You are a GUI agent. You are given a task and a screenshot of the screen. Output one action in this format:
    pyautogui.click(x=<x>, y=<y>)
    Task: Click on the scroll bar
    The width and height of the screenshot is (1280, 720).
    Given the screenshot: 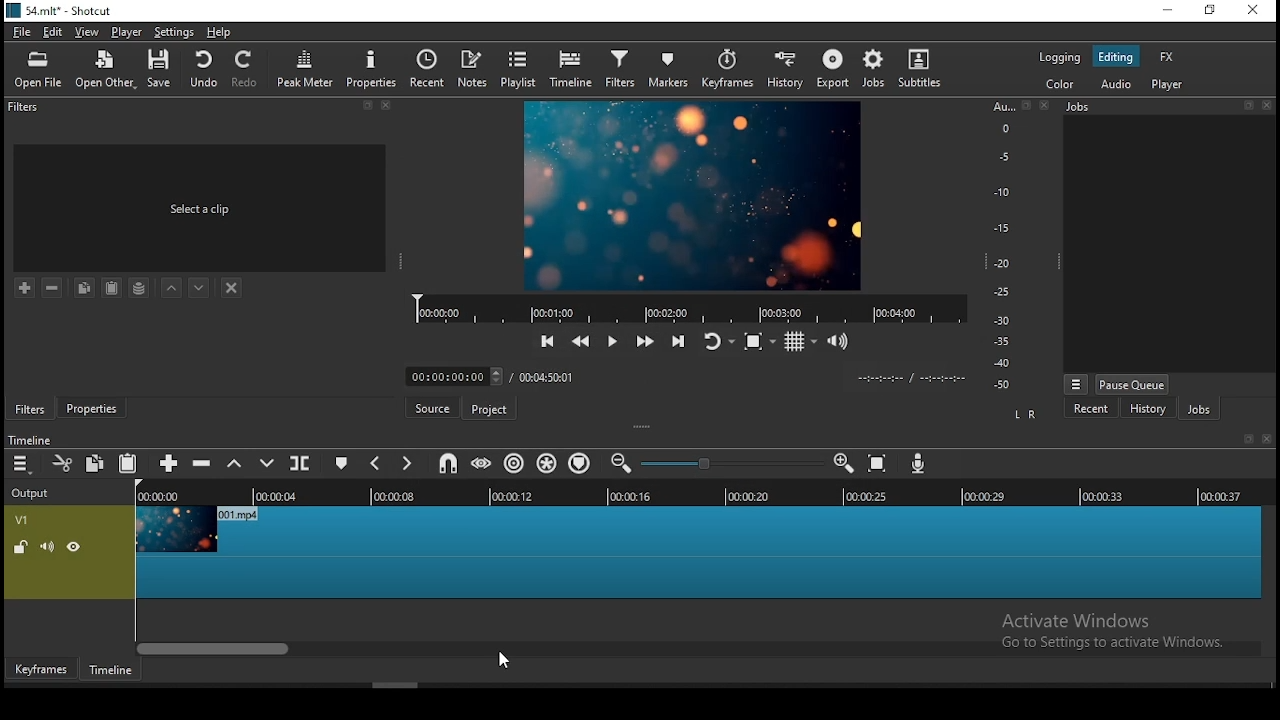 What is the action you would take?
    pyautogui.click(x=694, y=648)
    